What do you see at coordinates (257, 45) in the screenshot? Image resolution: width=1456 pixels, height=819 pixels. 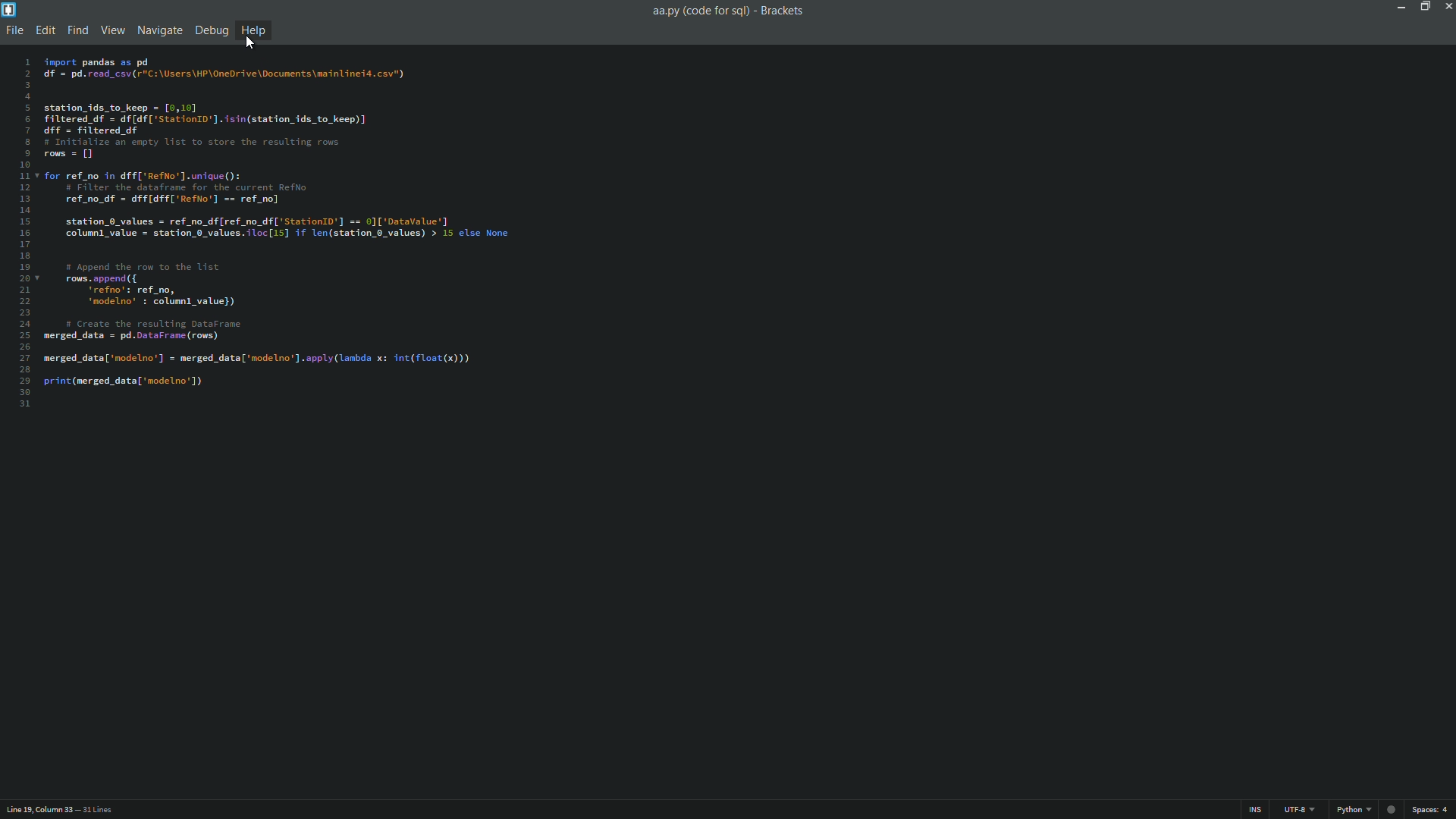 I see `cursor` at bounding box center [257, 45].